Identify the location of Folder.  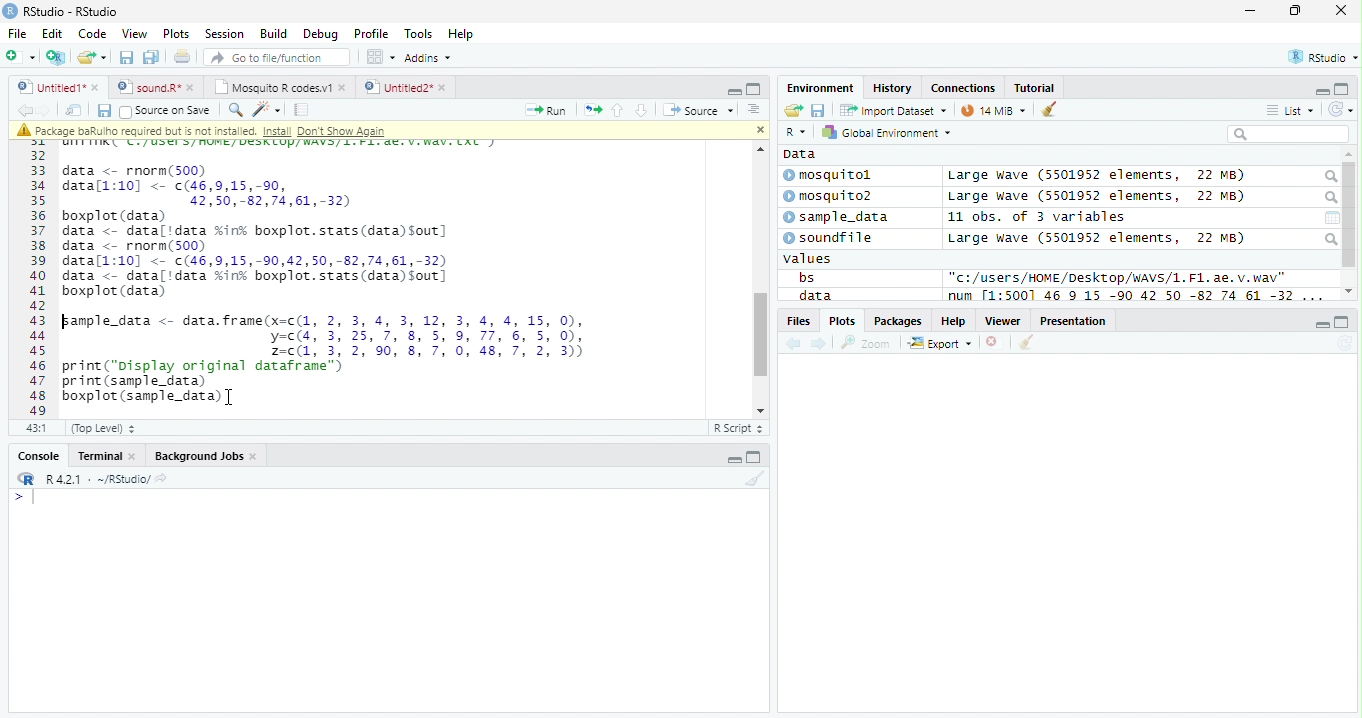
(793, 110).